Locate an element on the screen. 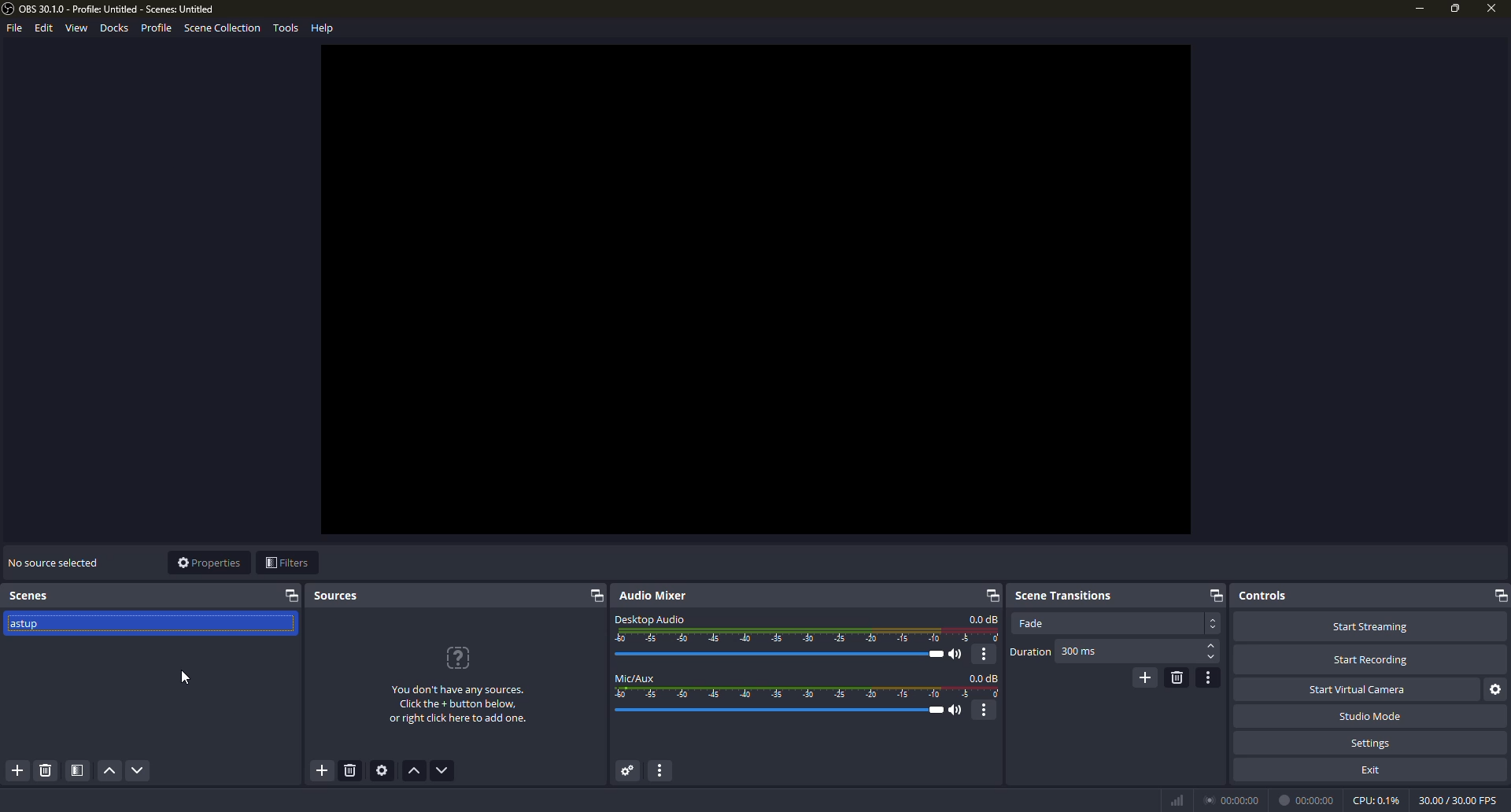 This screenshot has width=1511, height=812. ? is located at coordinates (460, 658).